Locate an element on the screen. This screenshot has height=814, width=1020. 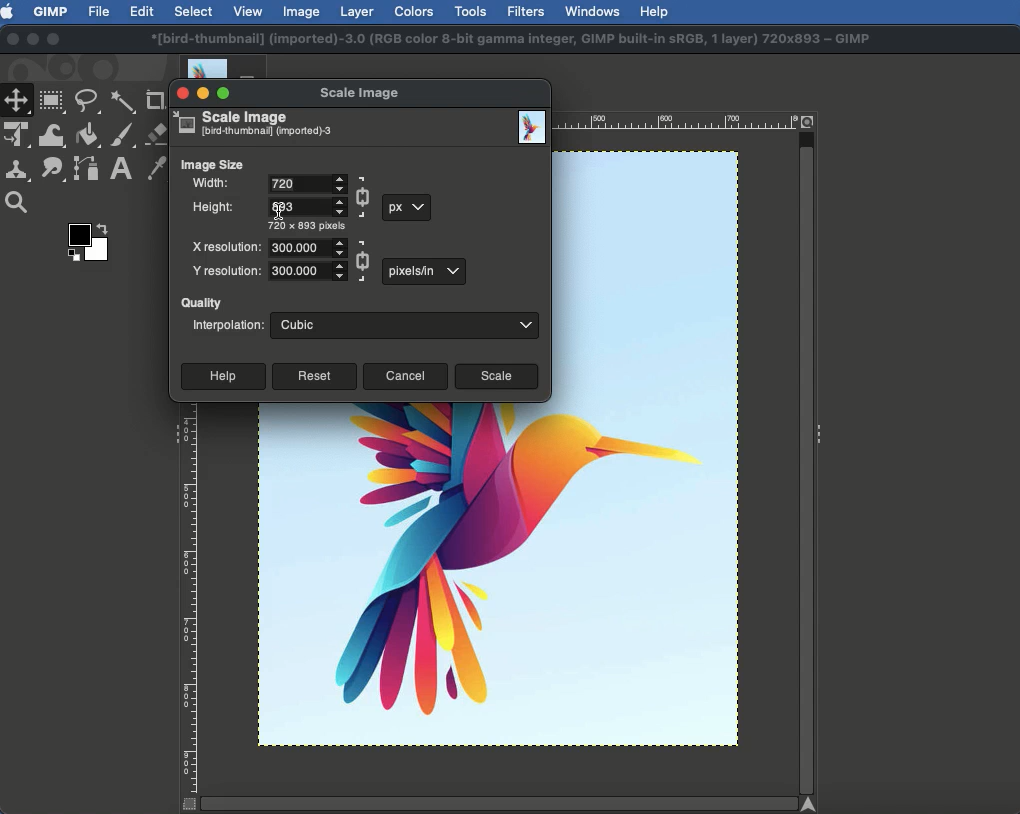
Color is located at coordinates (84, 239).